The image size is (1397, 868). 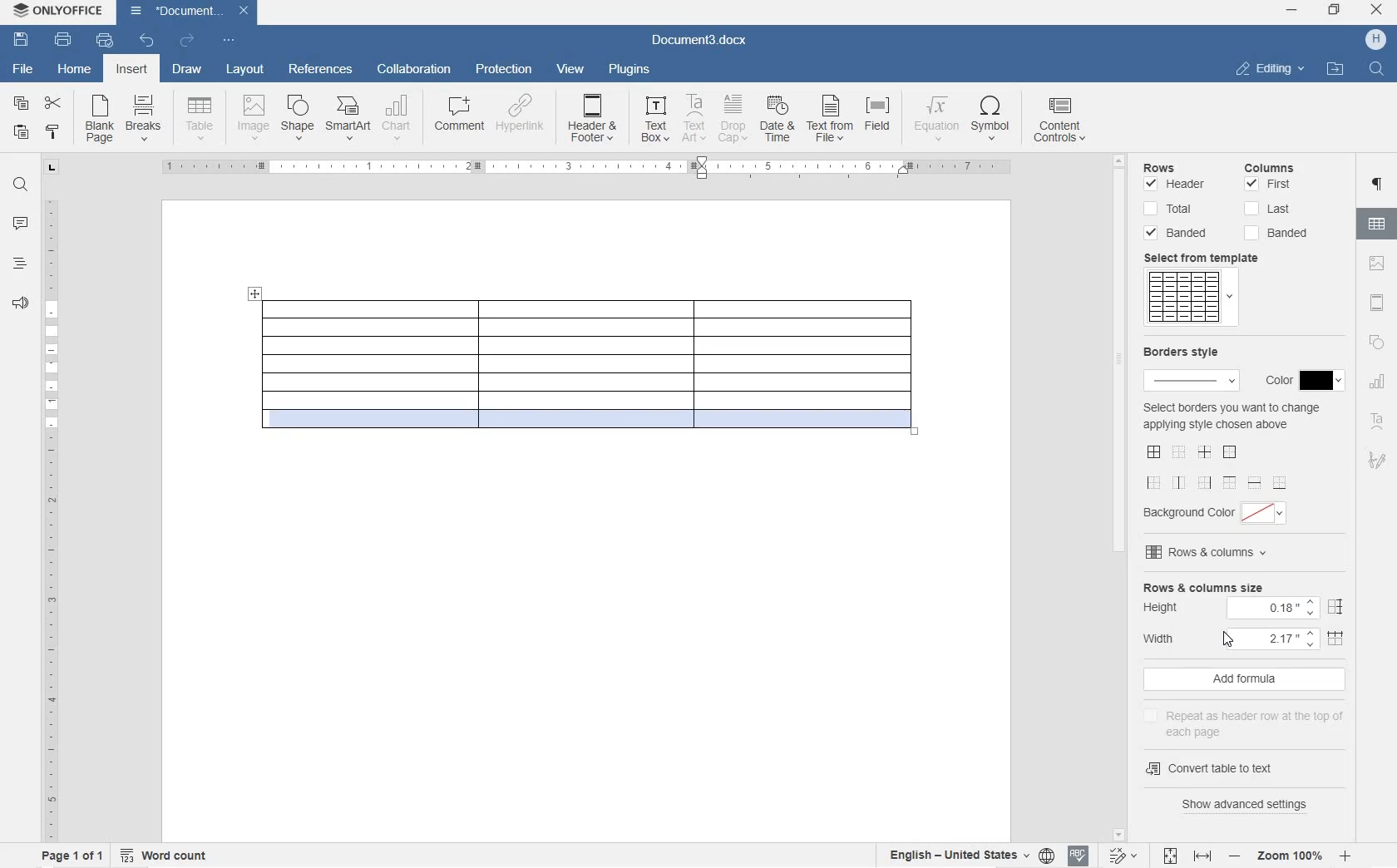 What do you see at coordinates (1247, 638) in the screenshot?
I see `Width` at bounding box center [1247, 638].